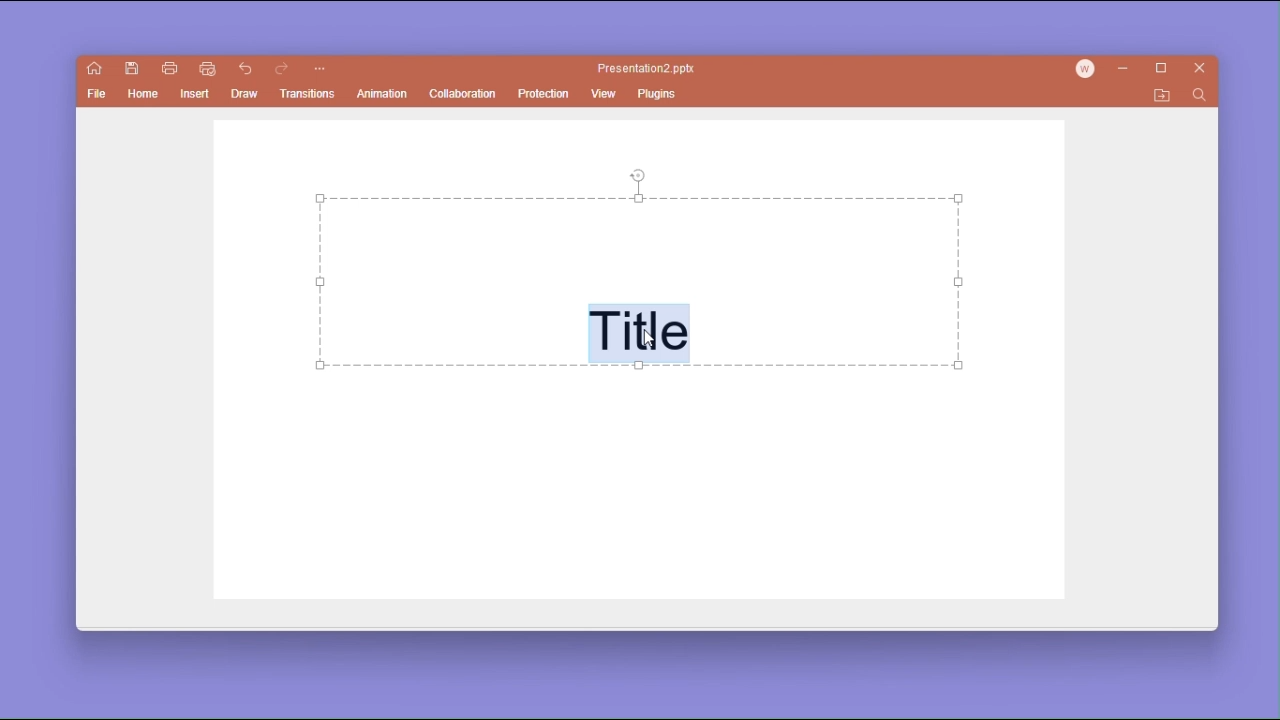 The width and height of the screenshot is (1280, 720). Describe the element at coordinates (246, 70) in the screenshot. I see `go back` at that location.